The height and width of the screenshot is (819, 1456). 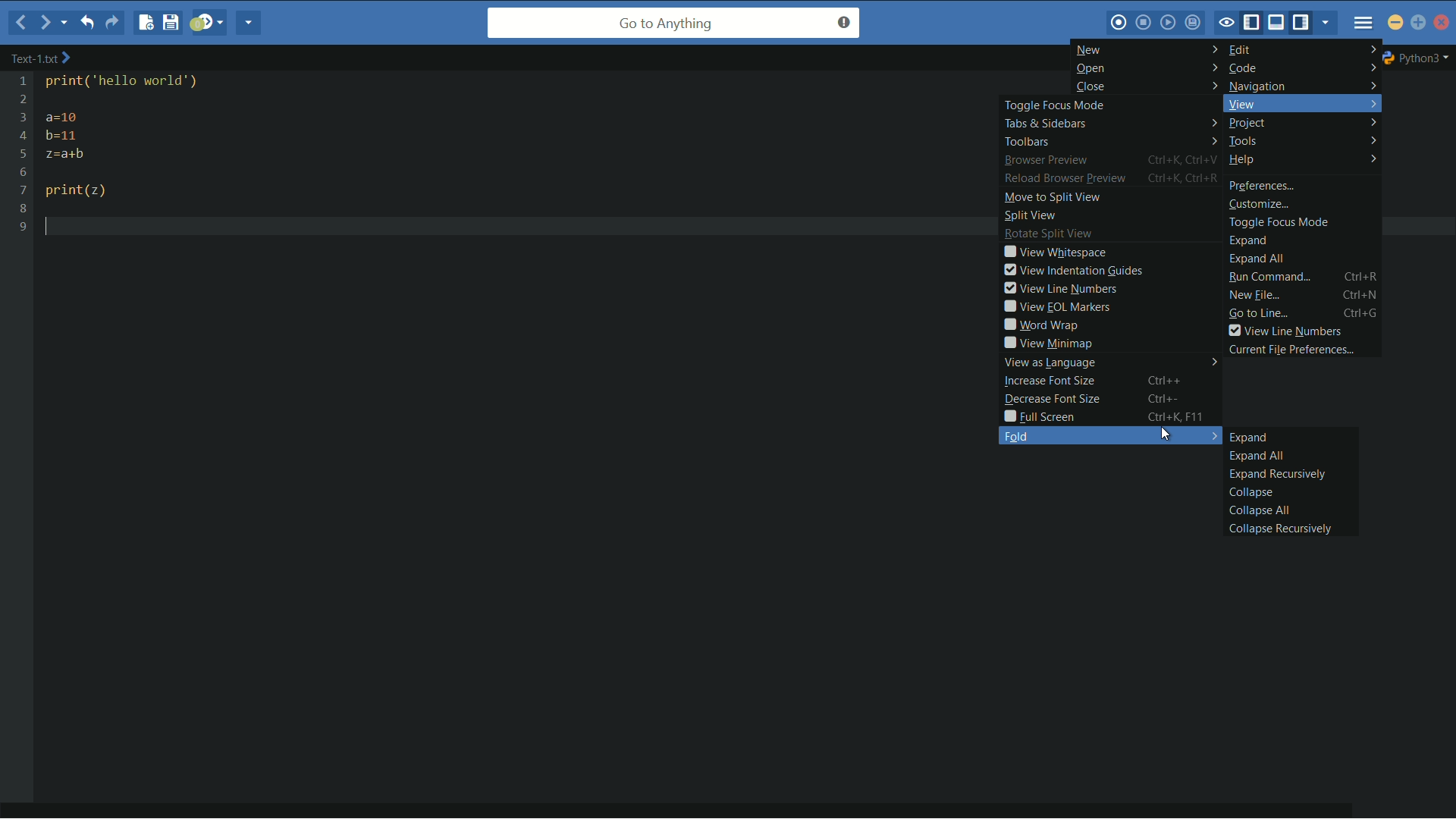 What do you see at coordinates (1170, 24) in the screenshot?
I see `play last macro` at bounding box center [1170, 24].